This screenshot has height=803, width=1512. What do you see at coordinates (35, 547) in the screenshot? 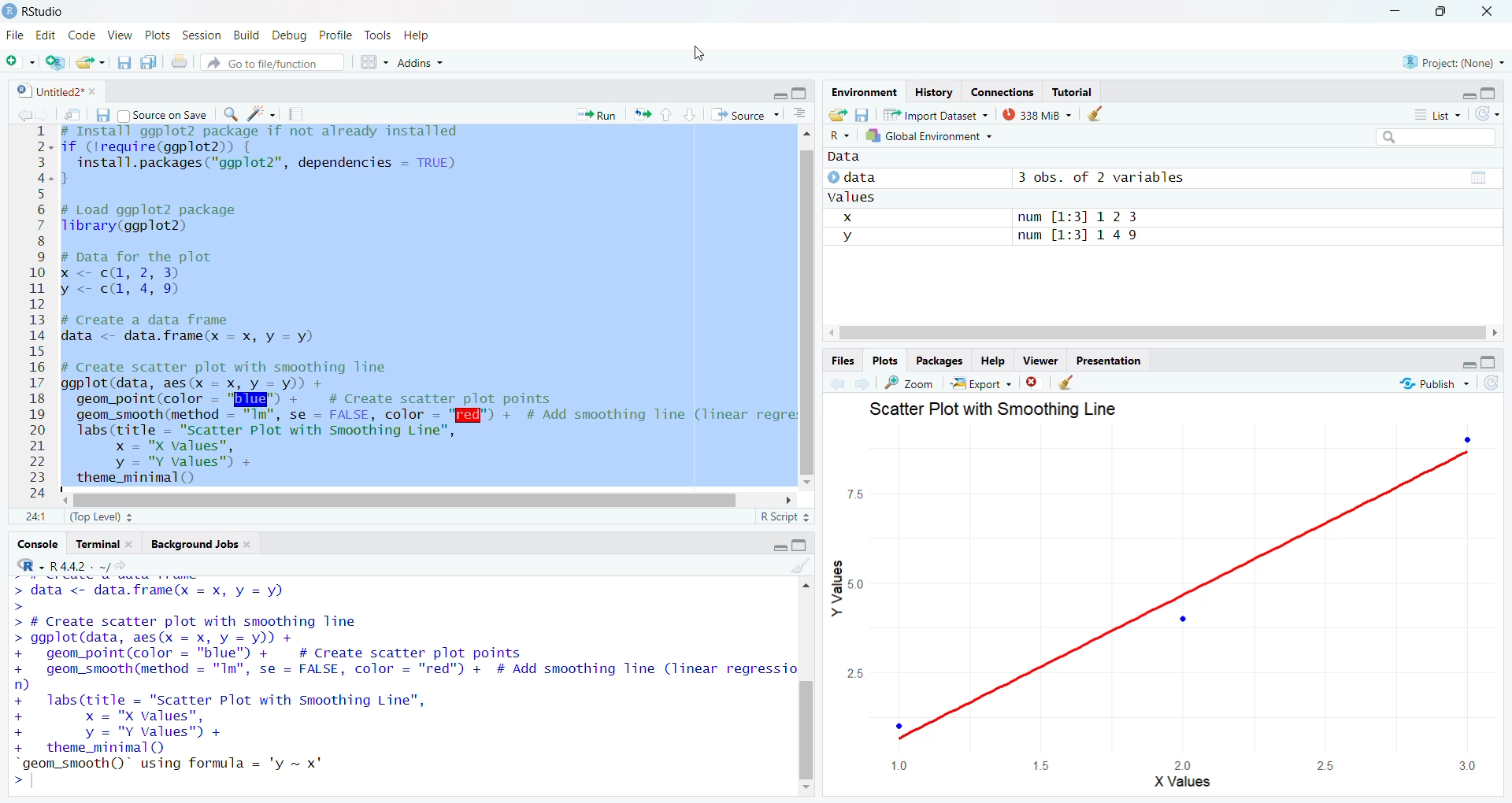
I see `Console` at bounding box center [35, 547].